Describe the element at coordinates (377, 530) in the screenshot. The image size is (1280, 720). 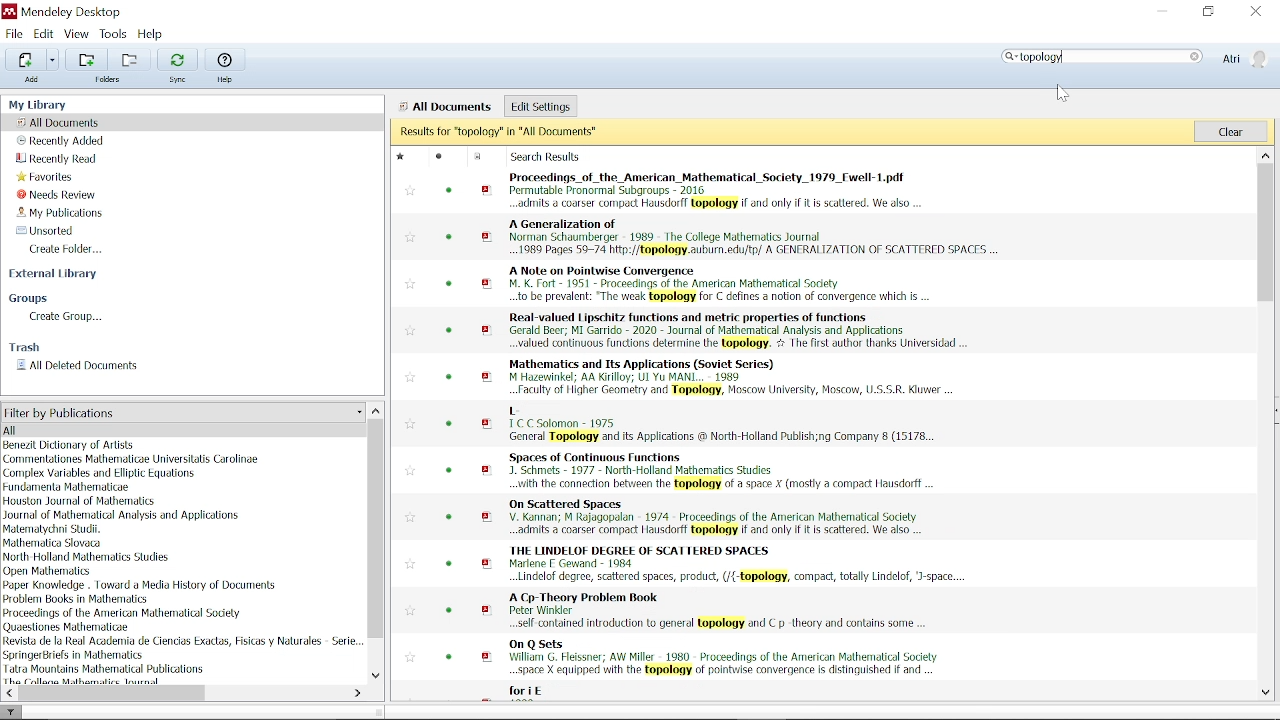
I see `Vertical scrollbar in filter by publication` at that location.